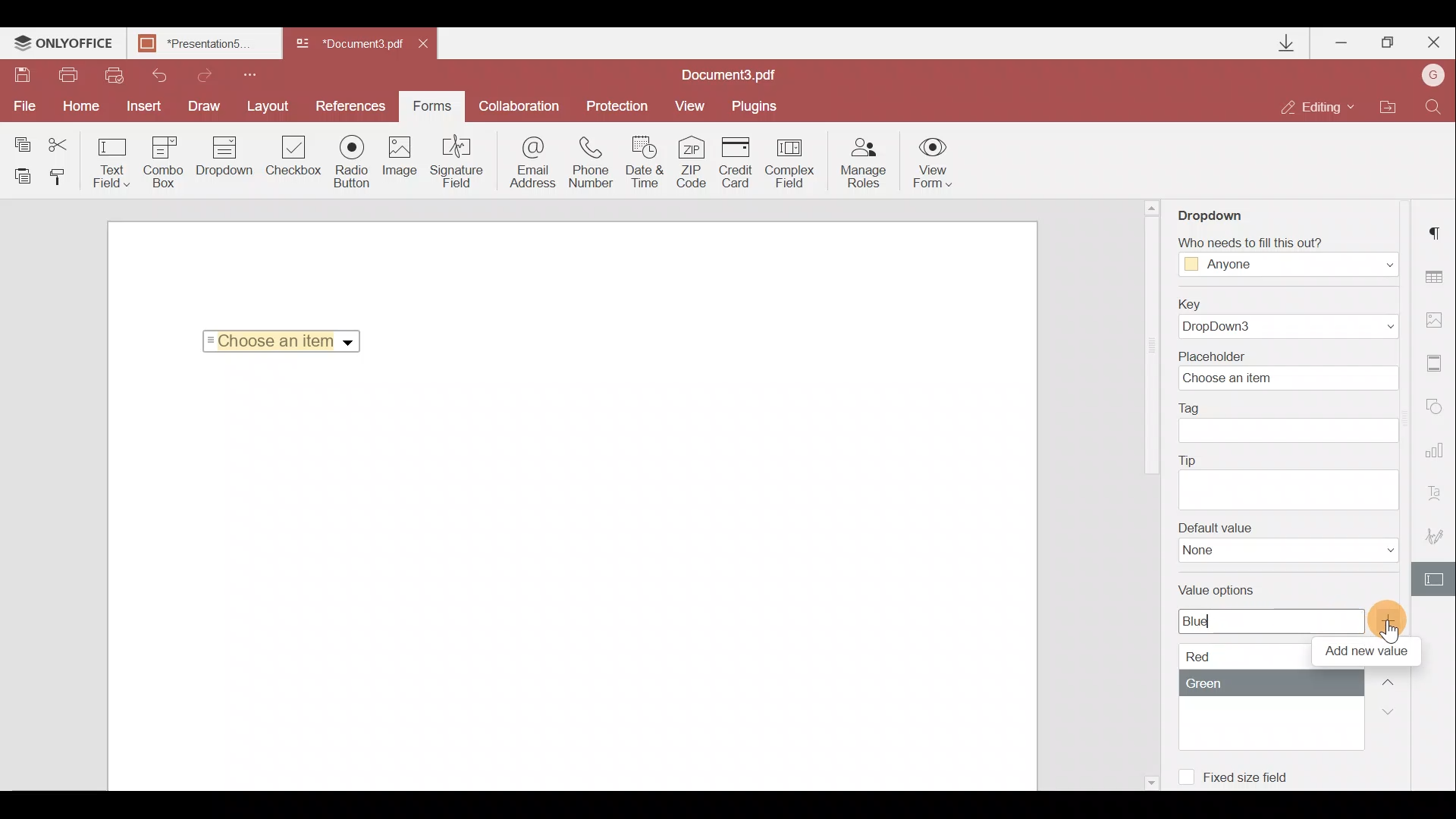 Image resolution: width=1456 pixels, height=819 pixels. I want to click on Manage roles, so click(864, 163).